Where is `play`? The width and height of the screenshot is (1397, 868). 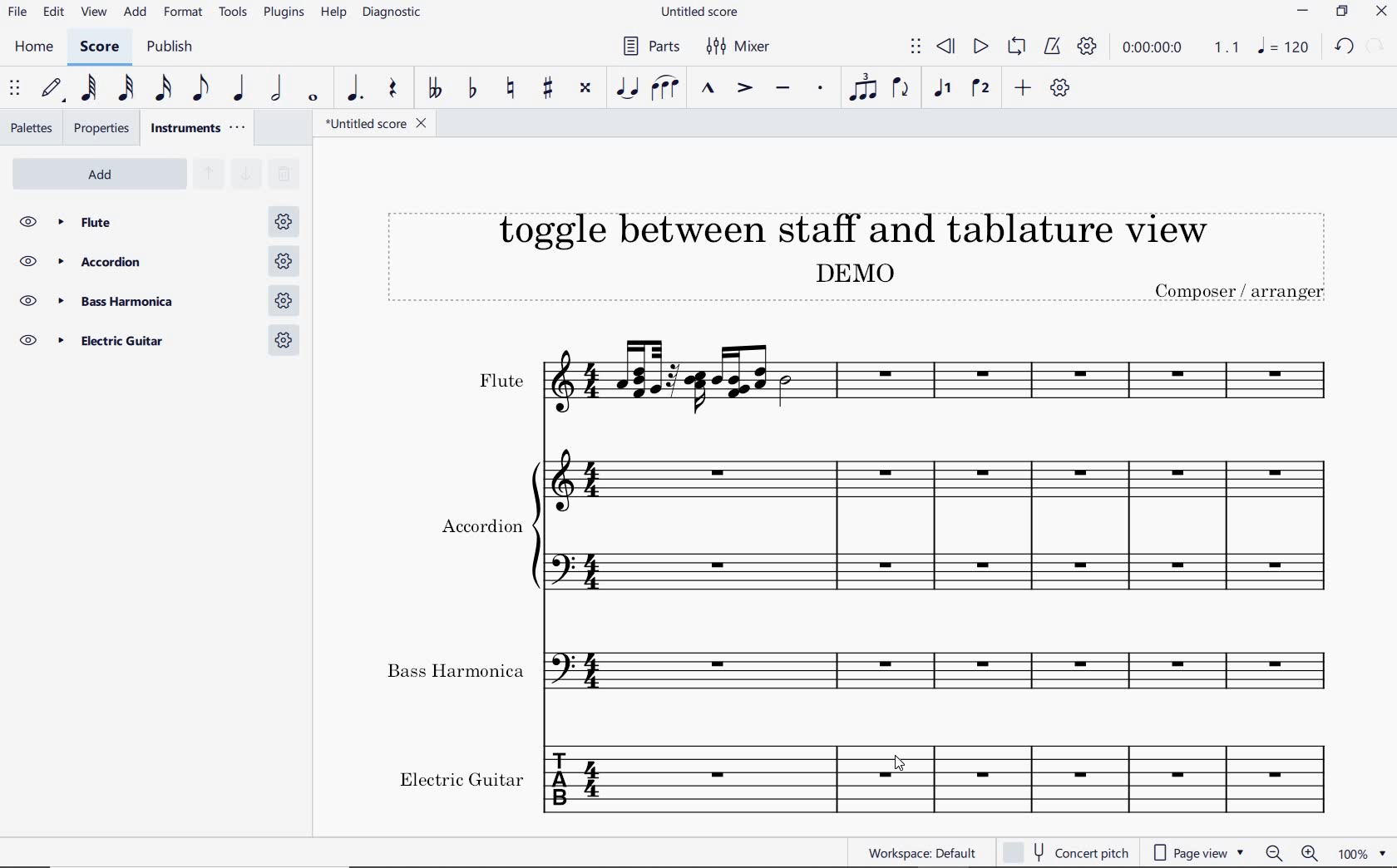 play is located at coordinates (980, 47).